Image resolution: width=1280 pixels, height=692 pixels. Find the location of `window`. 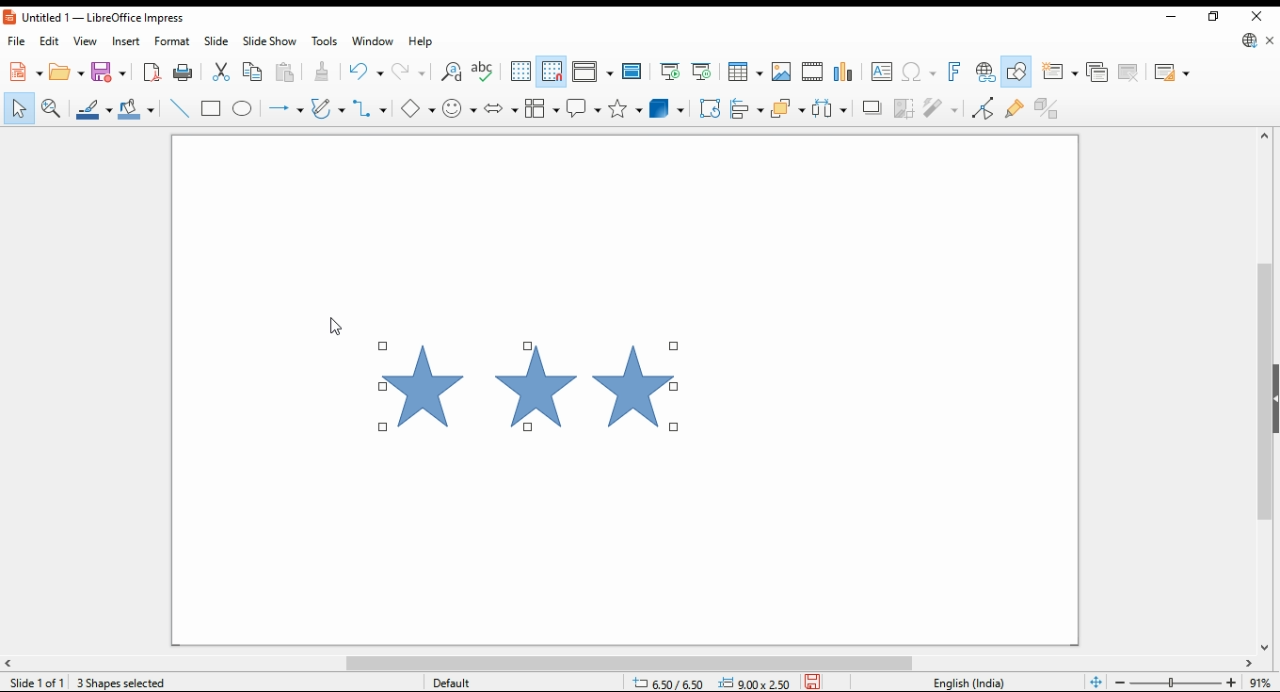

window is located at coordinates (373, 43).